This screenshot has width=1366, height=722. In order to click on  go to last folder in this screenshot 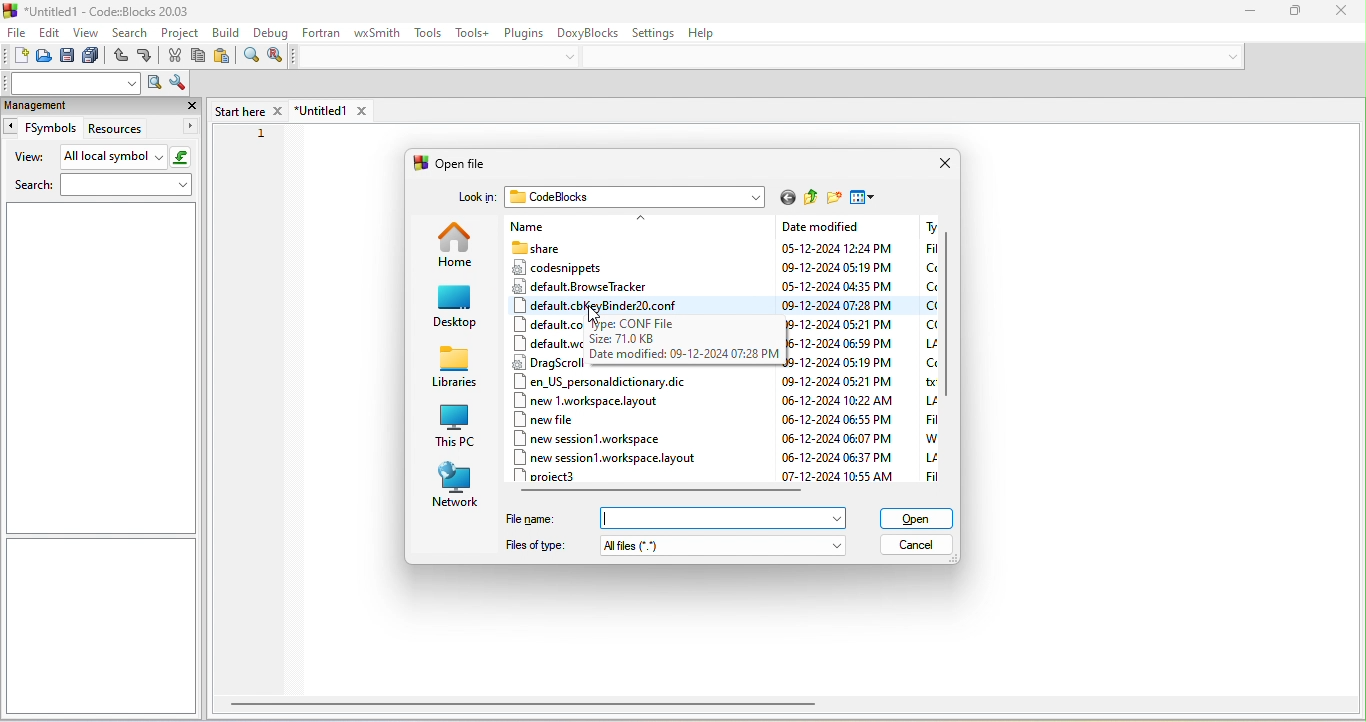, I will do `click(788, 198)`.